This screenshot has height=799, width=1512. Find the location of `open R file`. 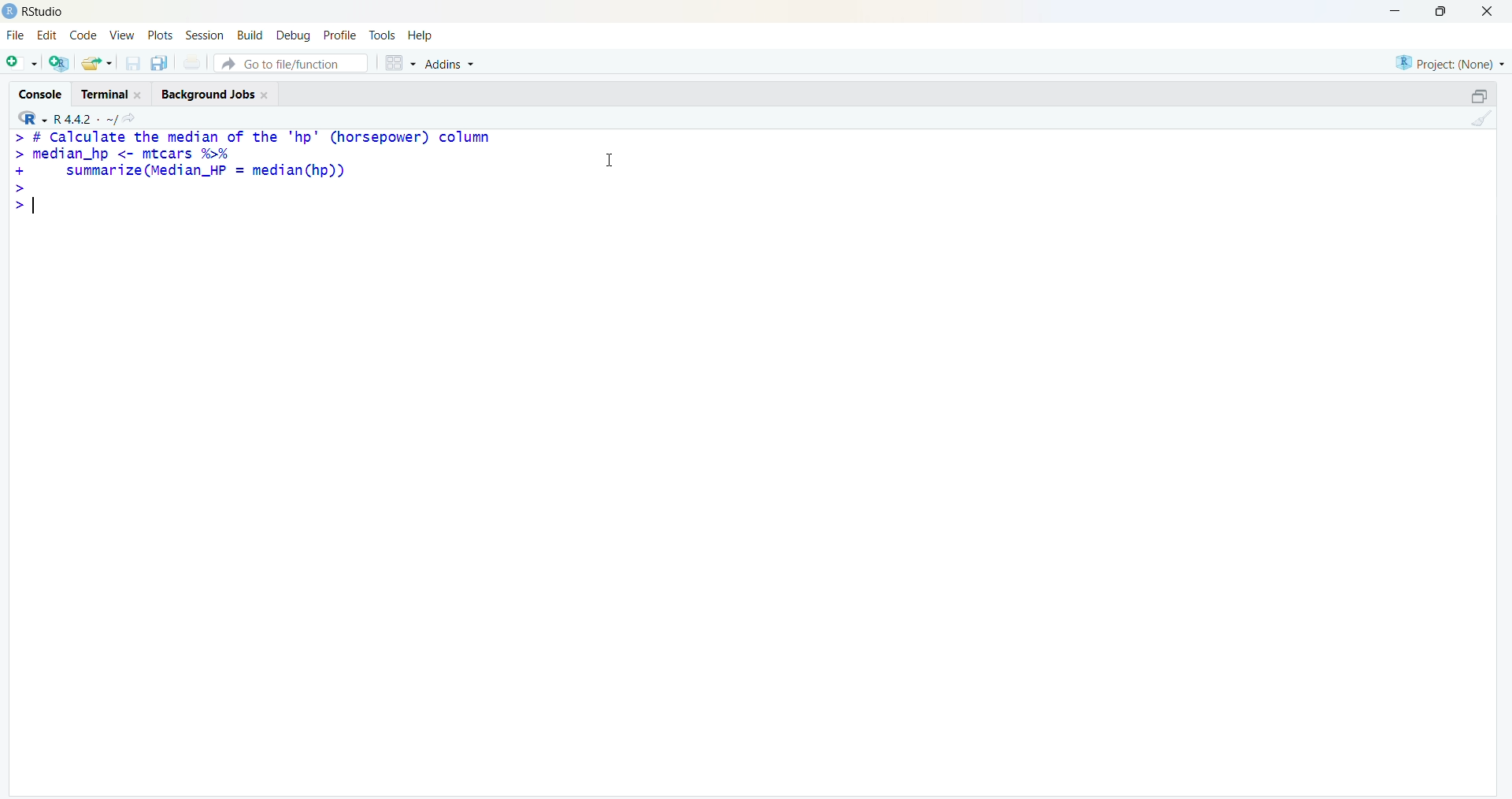

open R file is located at coordinates (58, 64).